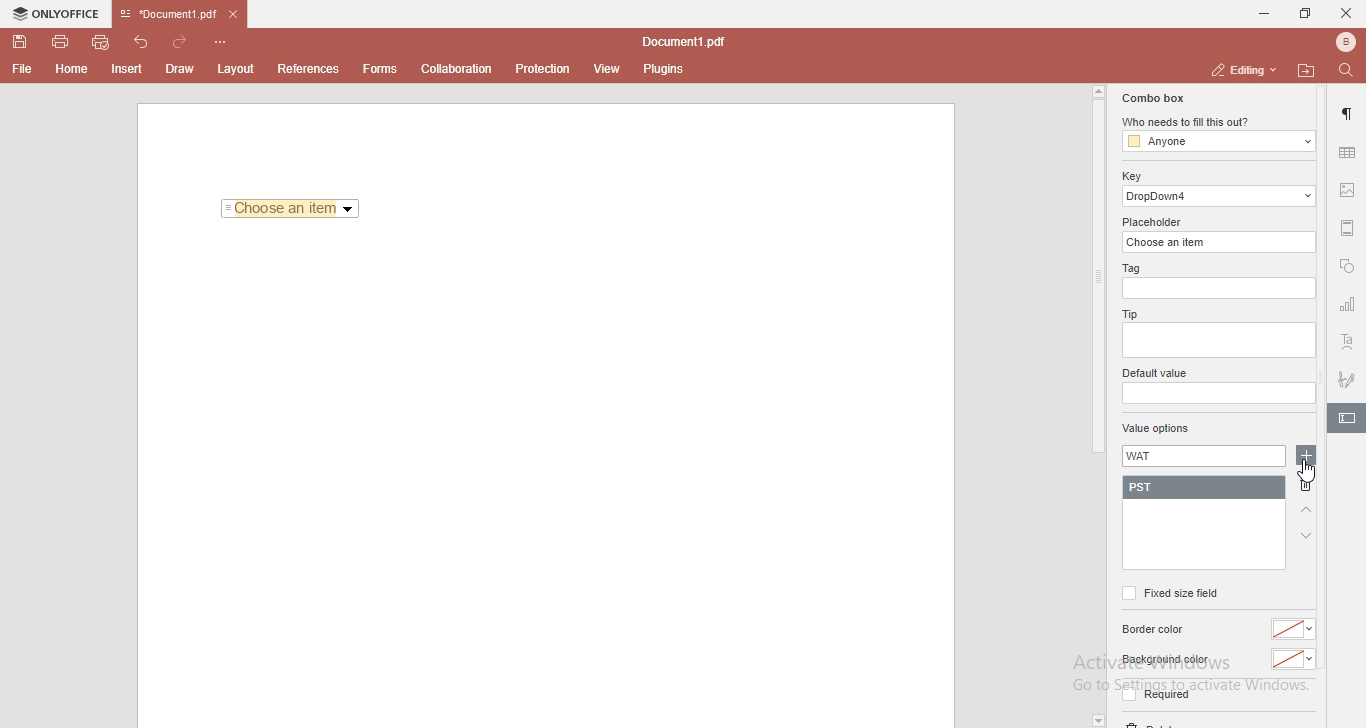  I want to click on color dropdown, so click(1294, 660).